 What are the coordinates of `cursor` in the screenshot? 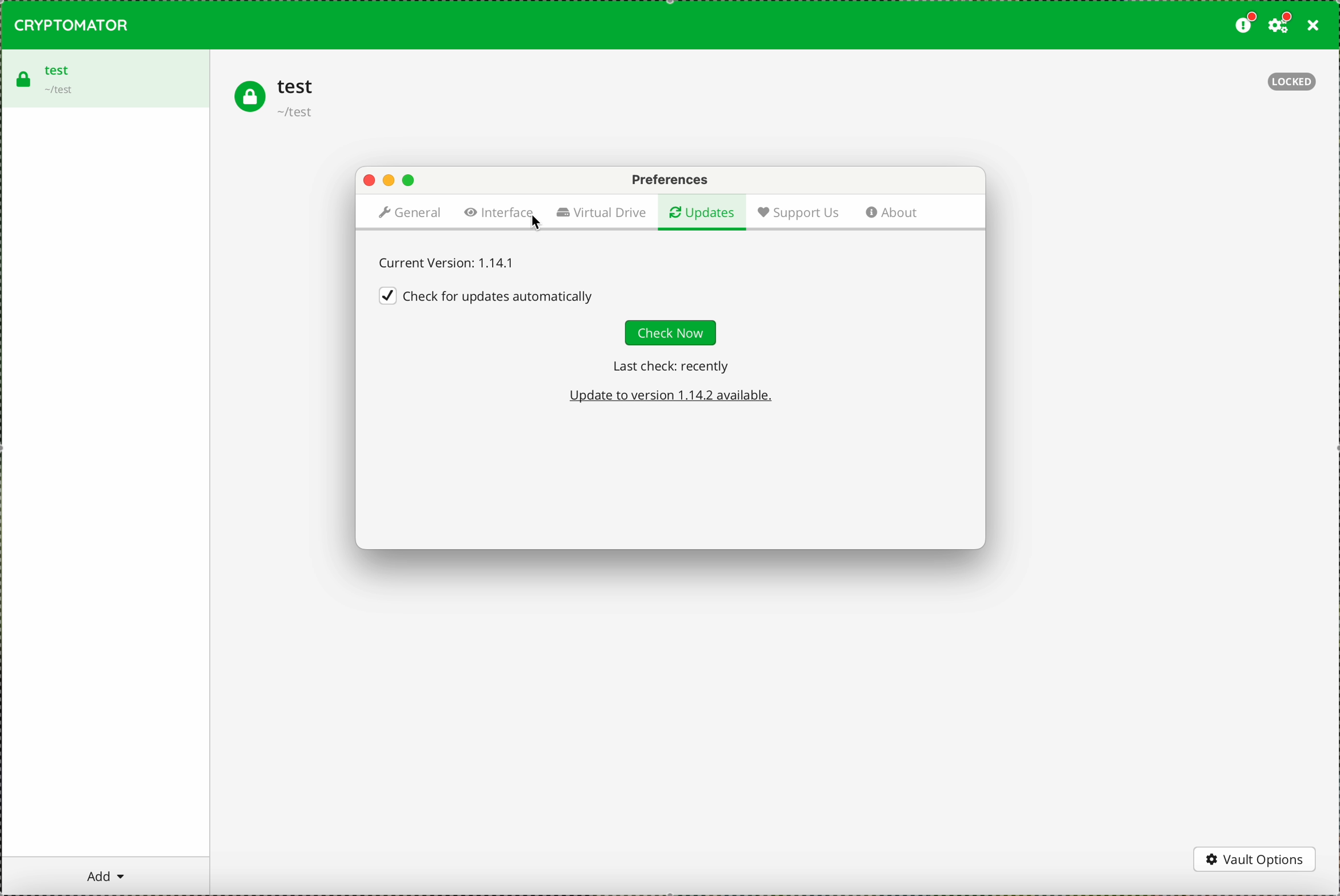 It's located at (537, 225).